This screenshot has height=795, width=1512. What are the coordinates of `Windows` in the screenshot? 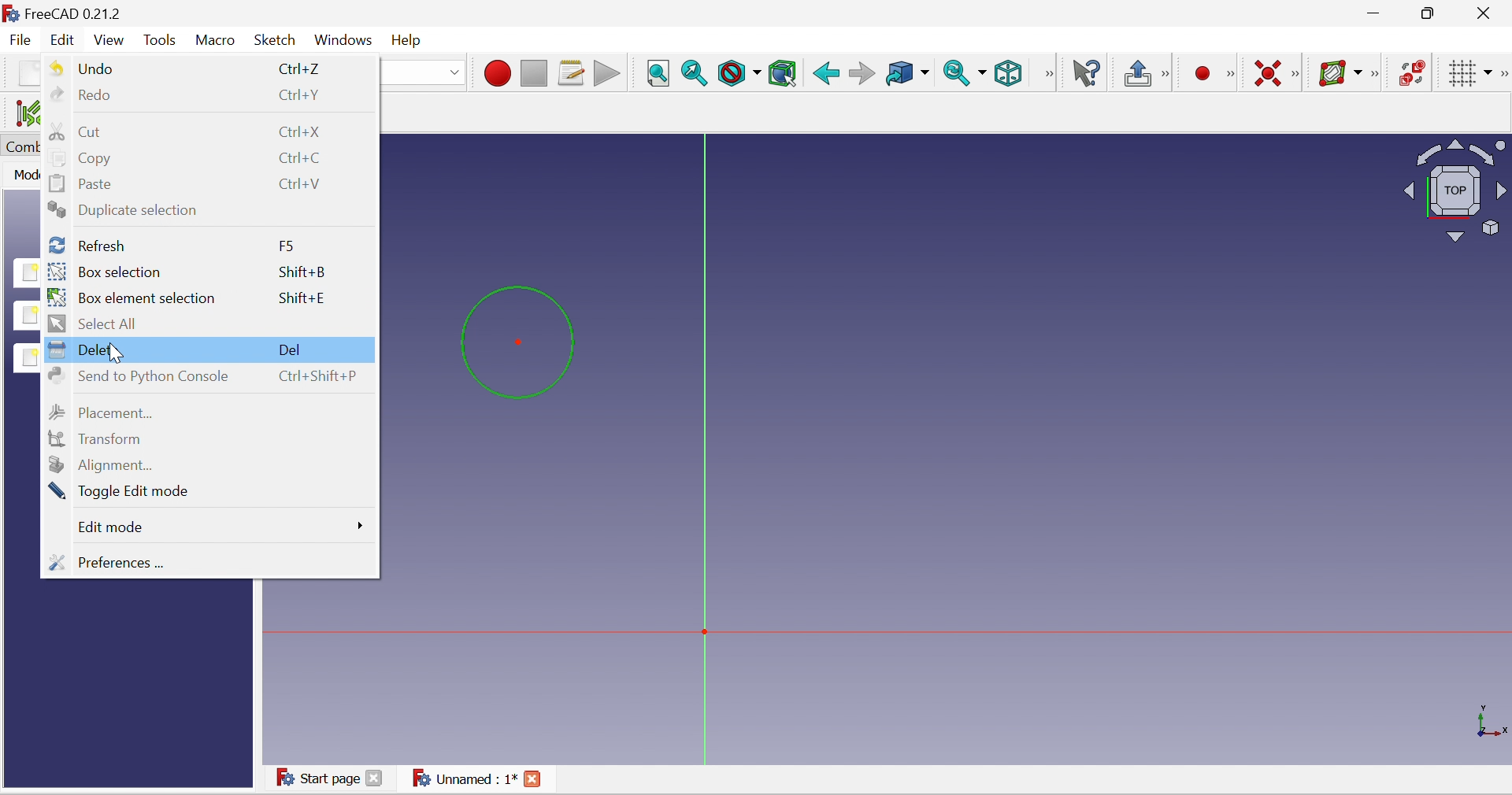 It's located at (341, 44).